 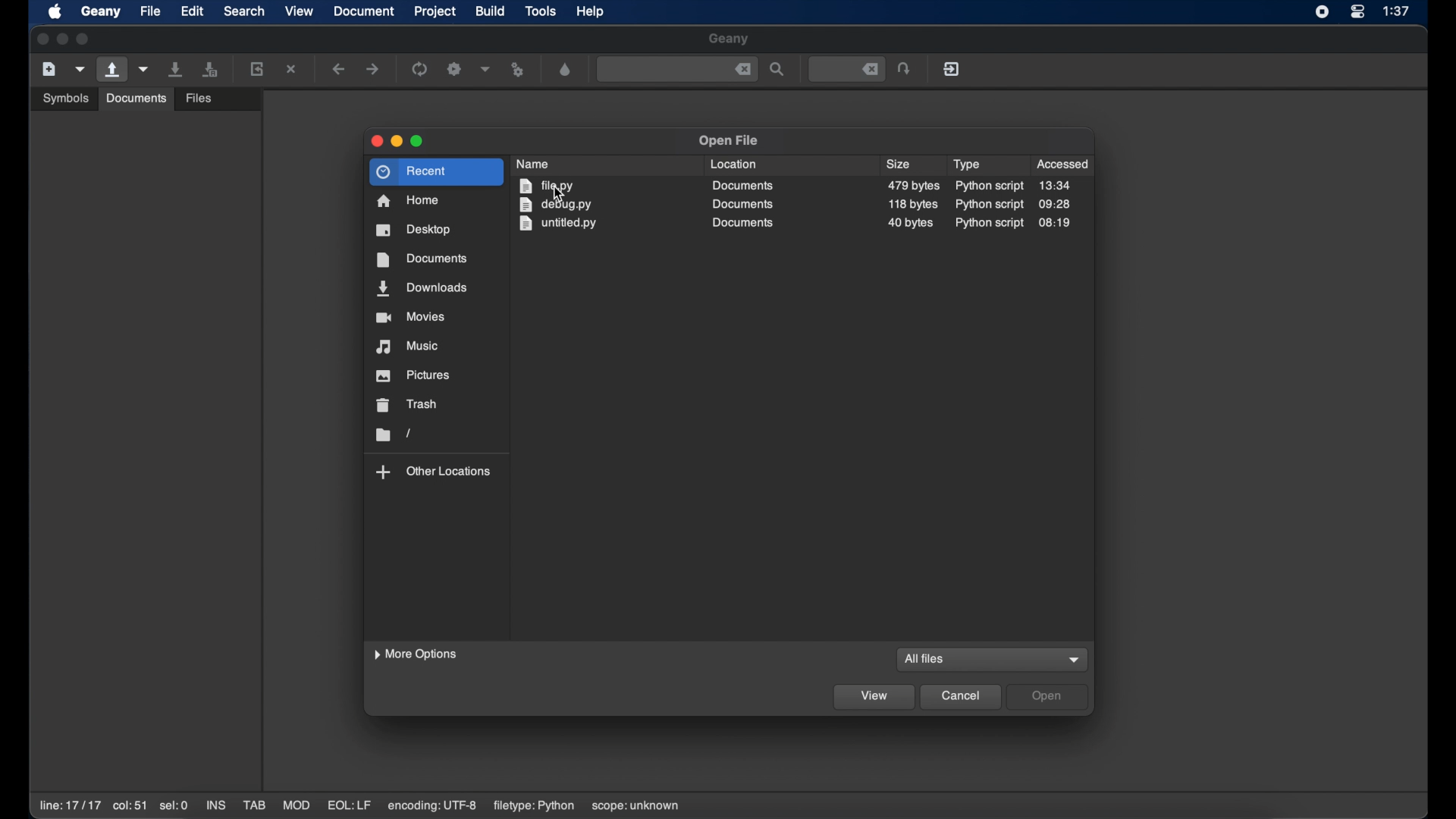 I want to click on 40 bytes, so click(x=910, y=224).